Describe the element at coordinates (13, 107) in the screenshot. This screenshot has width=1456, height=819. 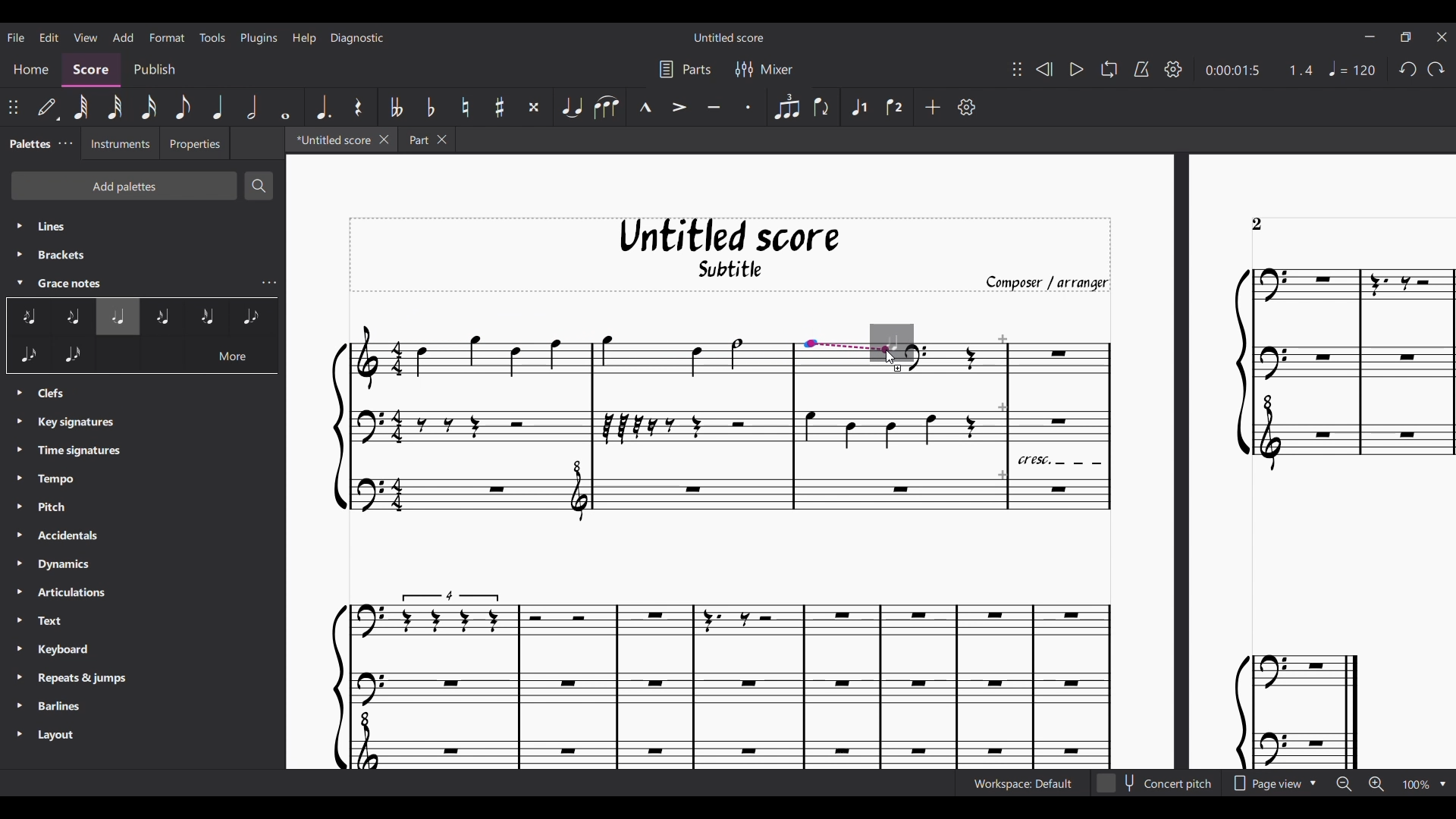
I see `Change position of toolbar atatched` at that location.